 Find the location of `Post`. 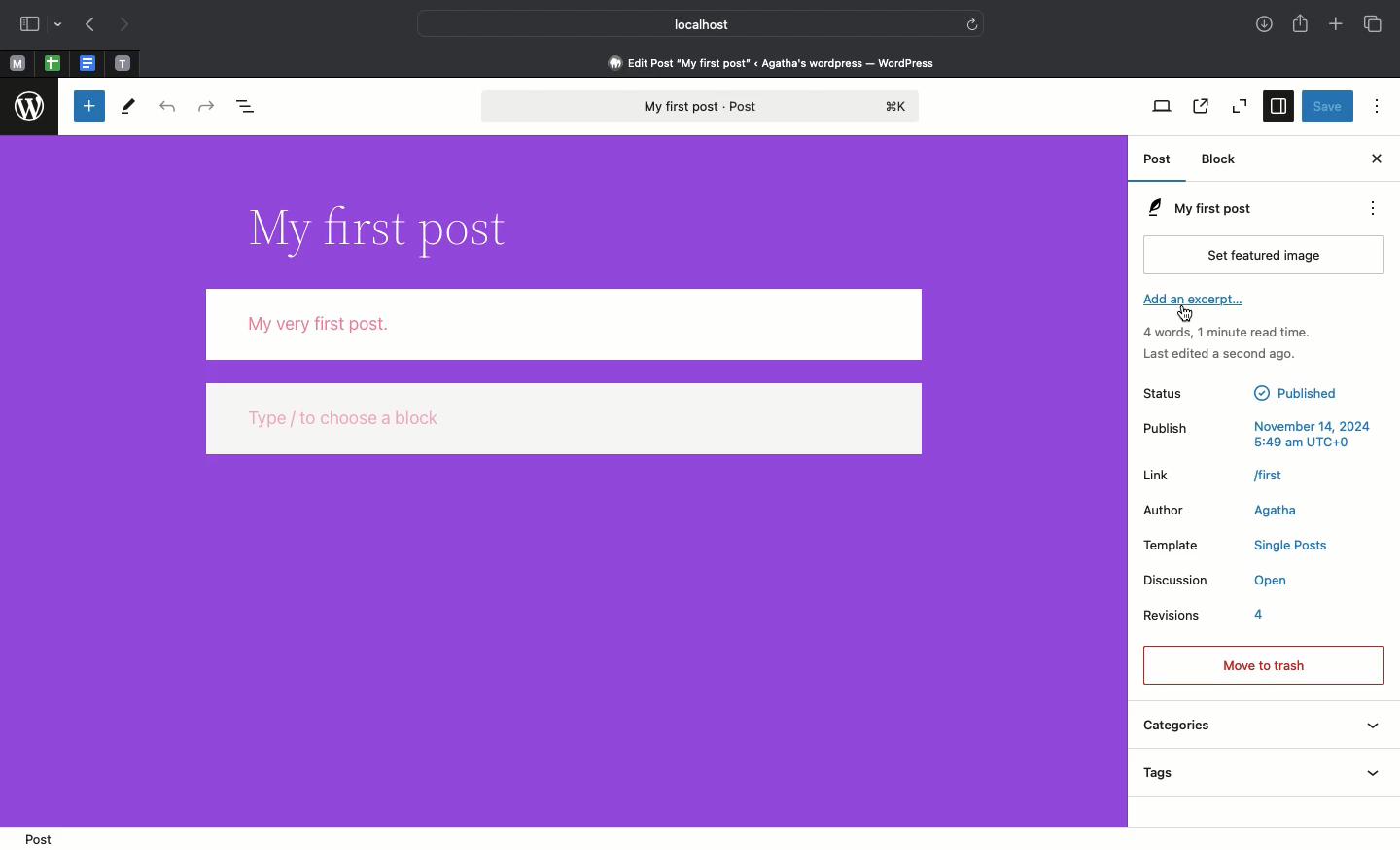

Post is located at coordinates (37, 837).